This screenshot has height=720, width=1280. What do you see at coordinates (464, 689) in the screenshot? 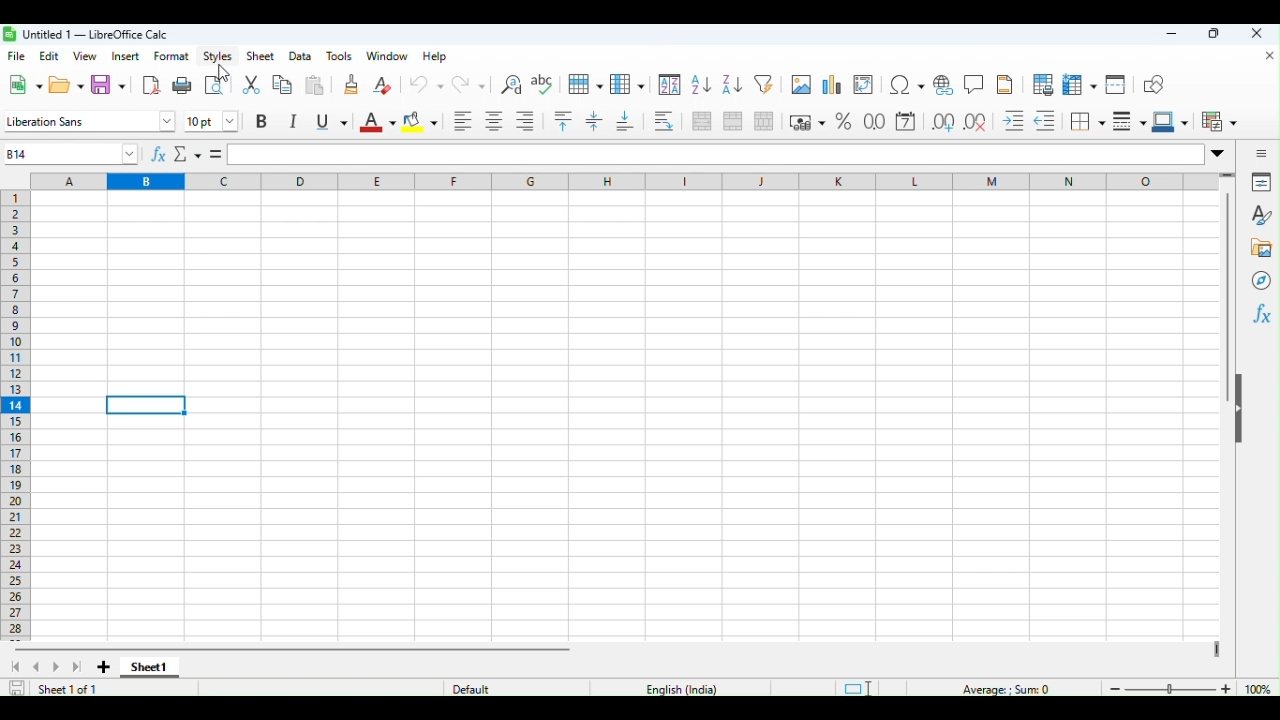
I see `Default` at bounding box center [464, 689].